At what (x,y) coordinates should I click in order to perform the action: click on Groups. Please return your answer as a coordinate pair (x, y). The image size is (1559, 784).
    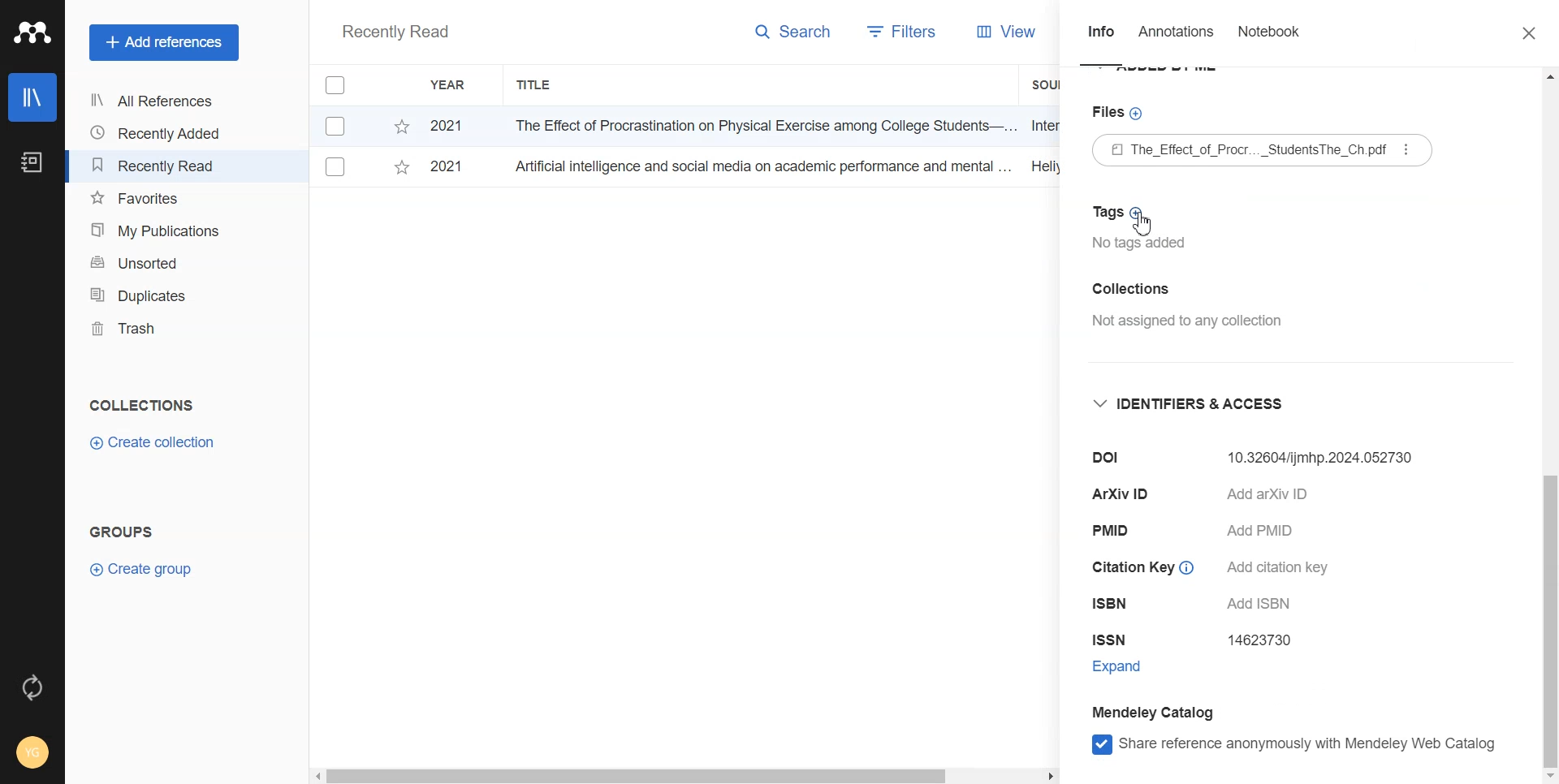
    Looking at the image, I should click on (126, 532).